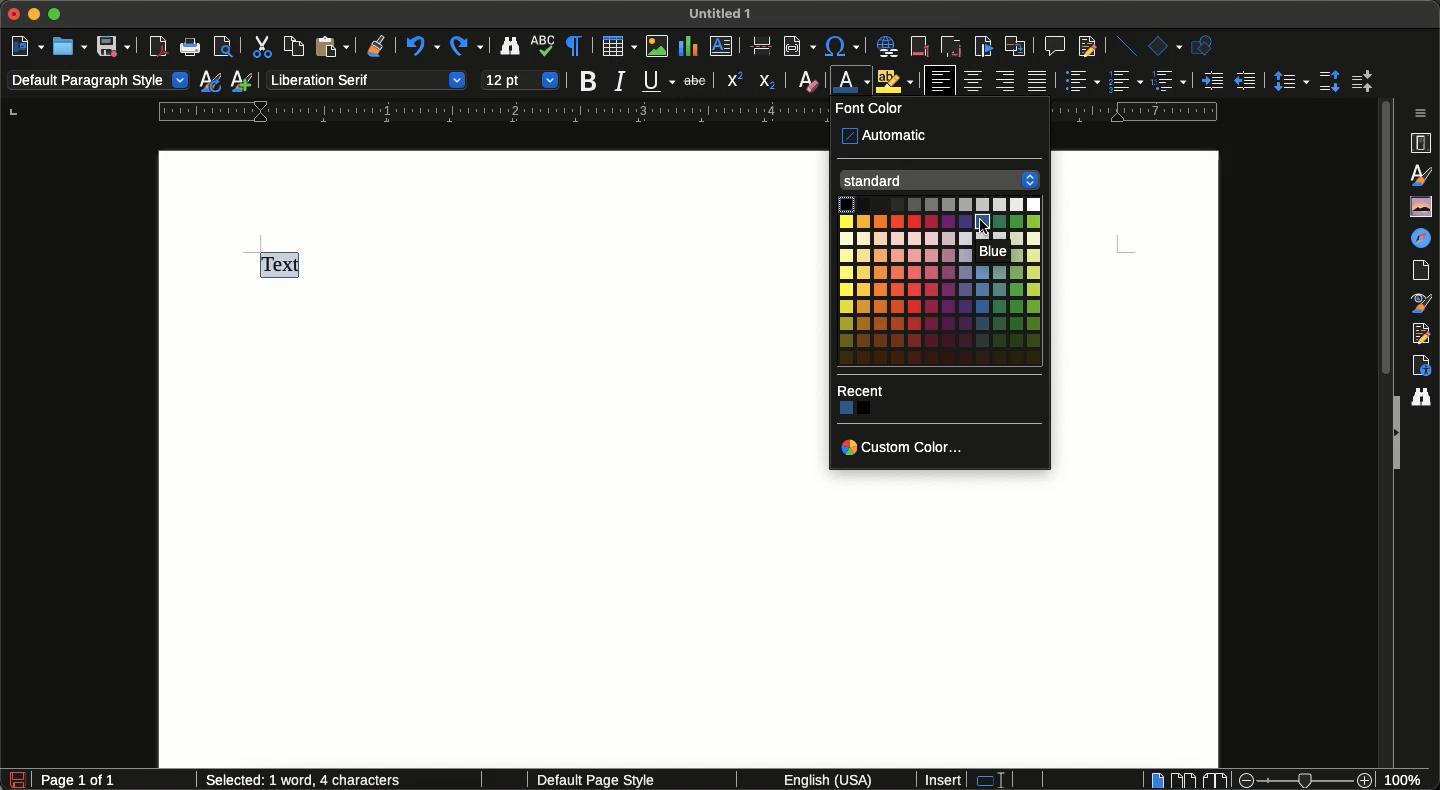 Image resolution: width=1440 pixels, height=790 pixels. I want to click on Show track changes functions, so click(1085, 47).